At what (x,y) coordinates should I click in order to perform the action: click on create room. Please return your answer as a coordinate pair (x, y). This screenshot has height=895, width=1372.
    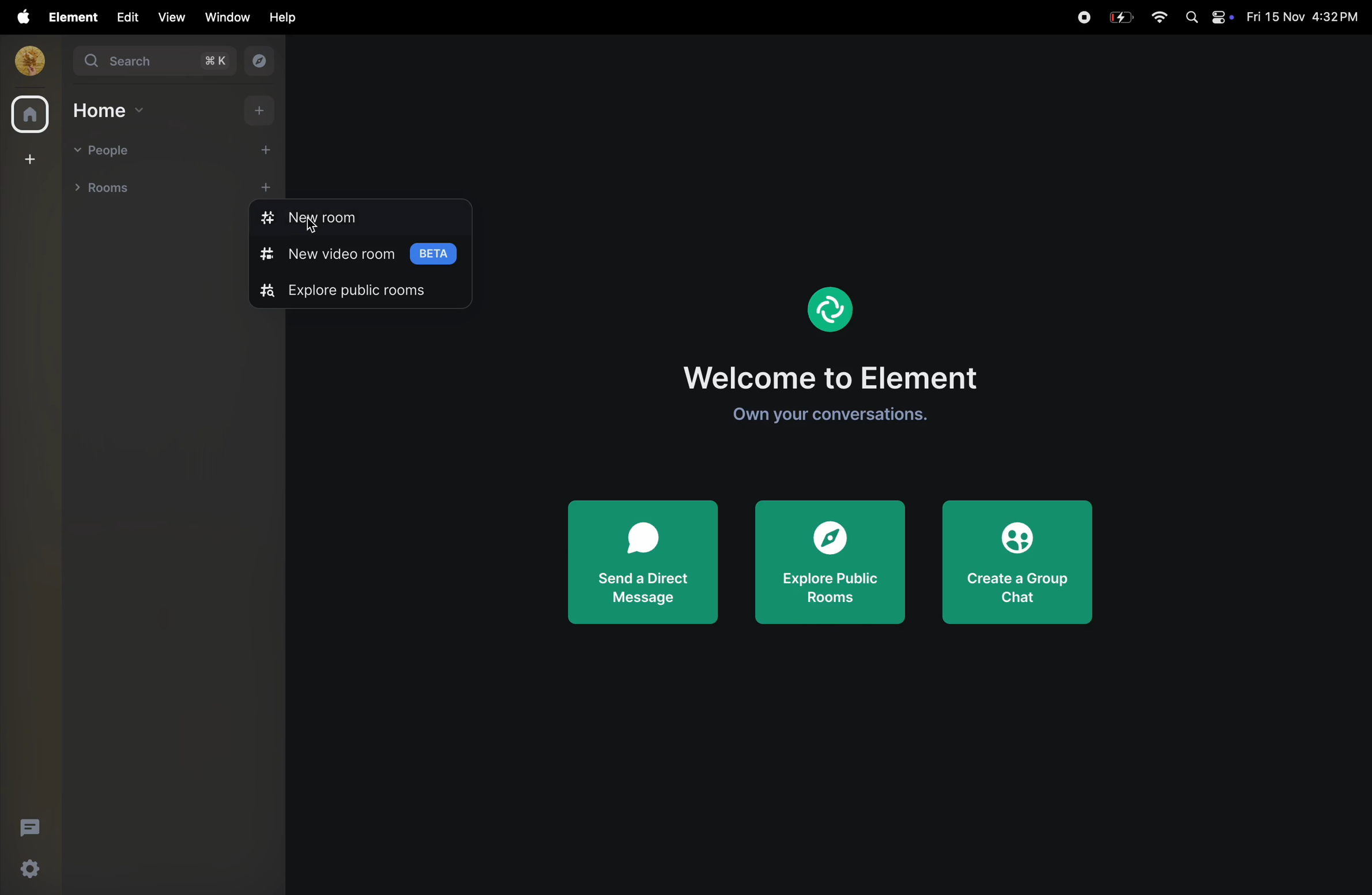
    Looking at the image, I should click on (28, 160).